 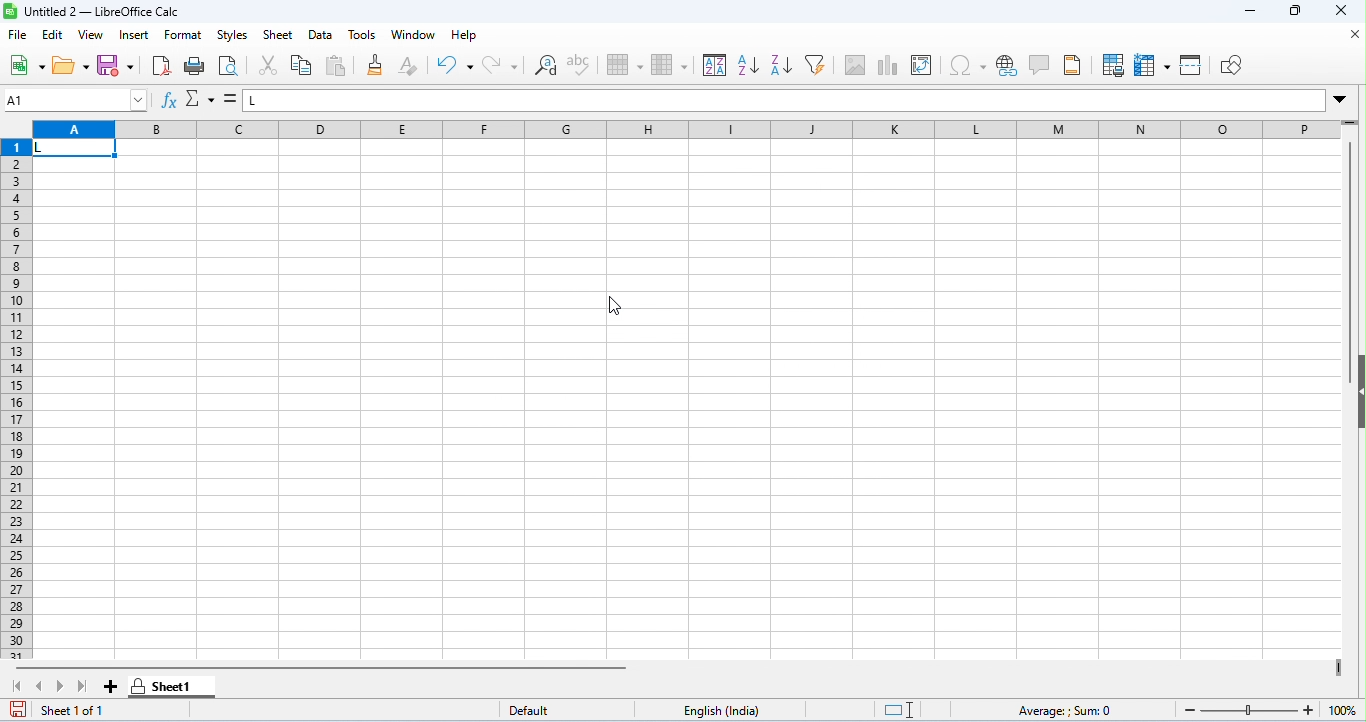 What do you see at coordinates (465, 37) in the screenshot?
I see `help` at bounding box center [465, 37].